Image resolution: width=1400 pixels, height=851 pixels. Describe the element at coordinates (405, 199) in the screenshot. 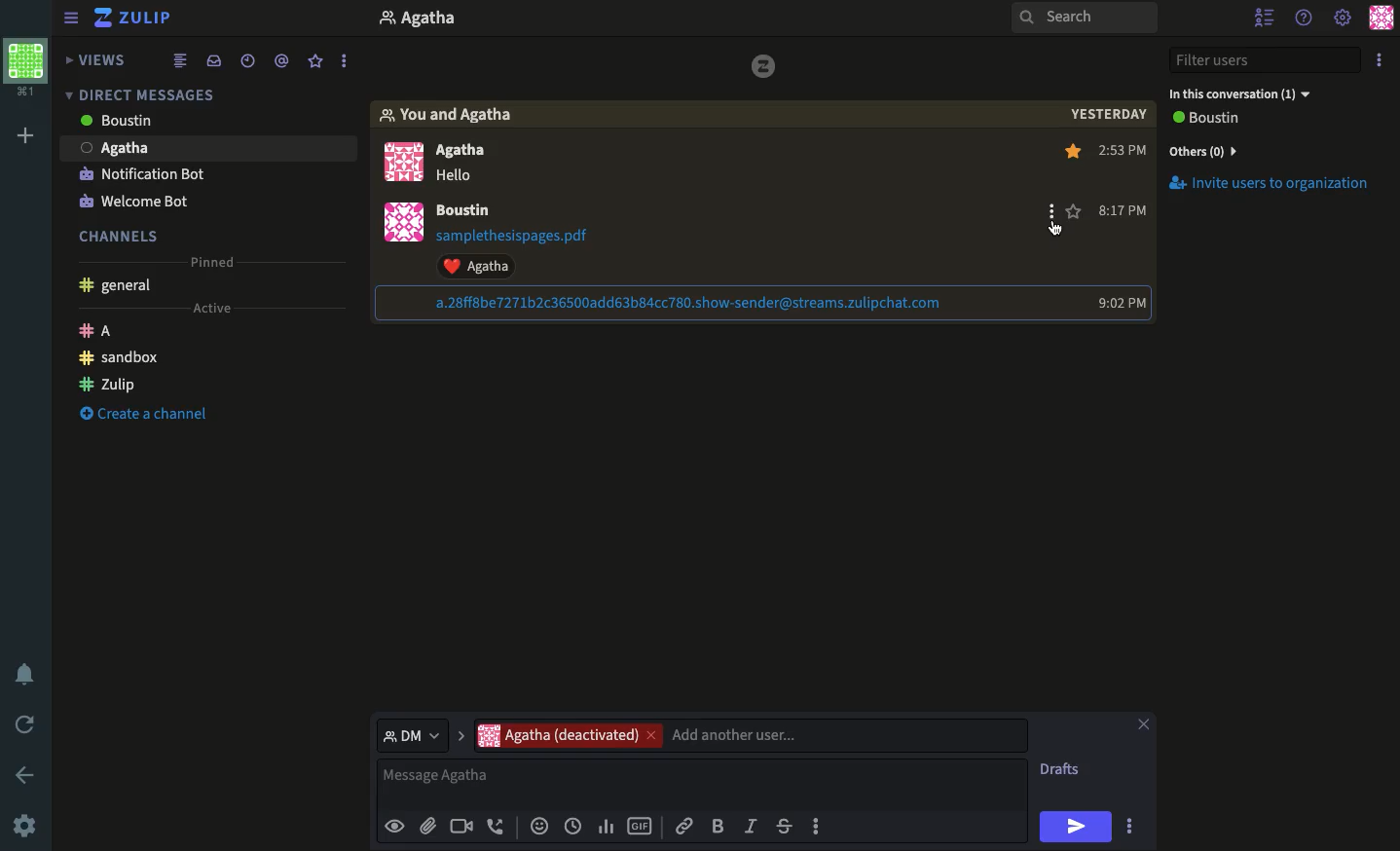

I see `Profile` at that location.